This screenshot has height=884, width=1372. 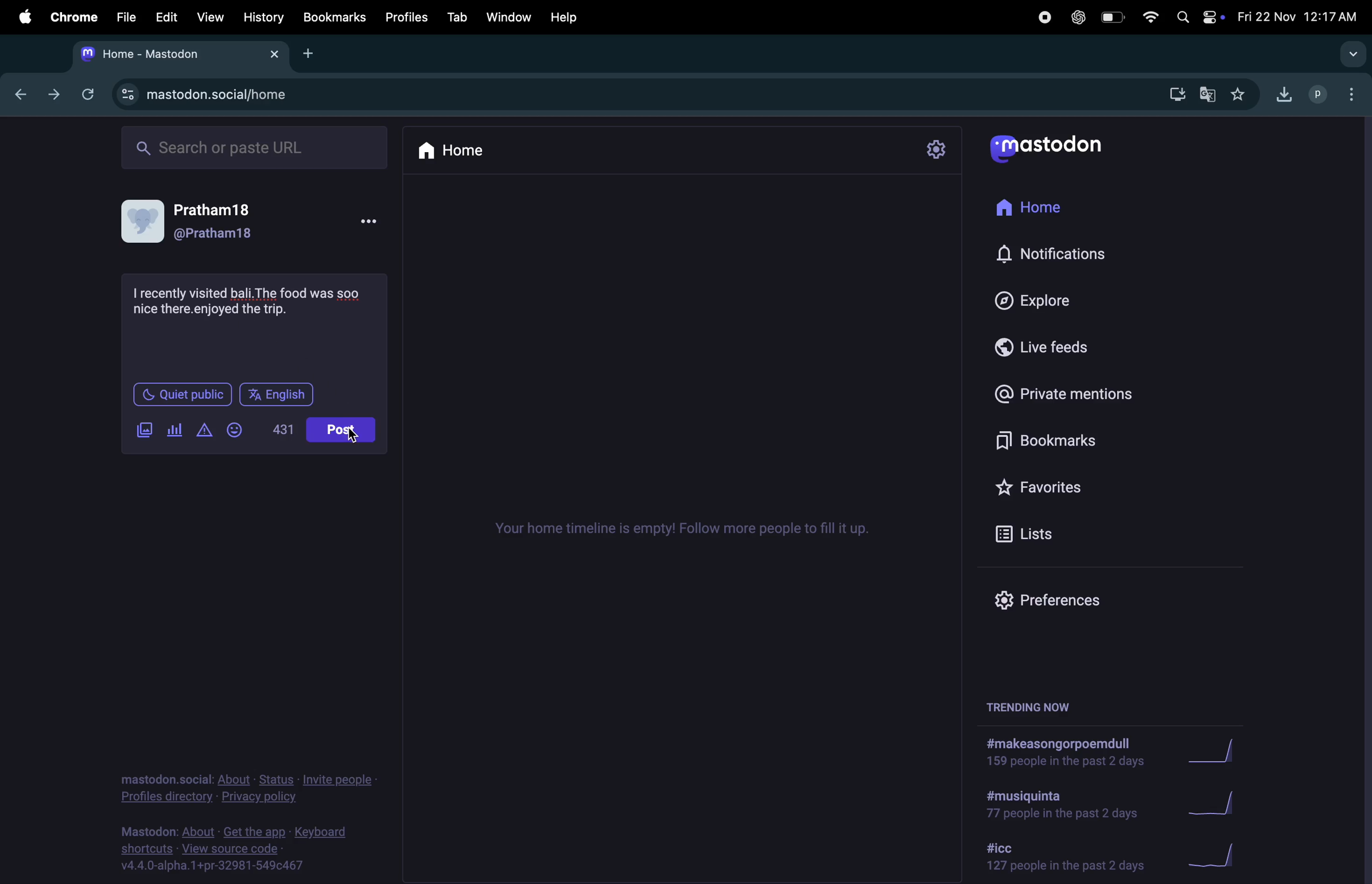 I want to click on travel experience, so click(x=247, y=297).